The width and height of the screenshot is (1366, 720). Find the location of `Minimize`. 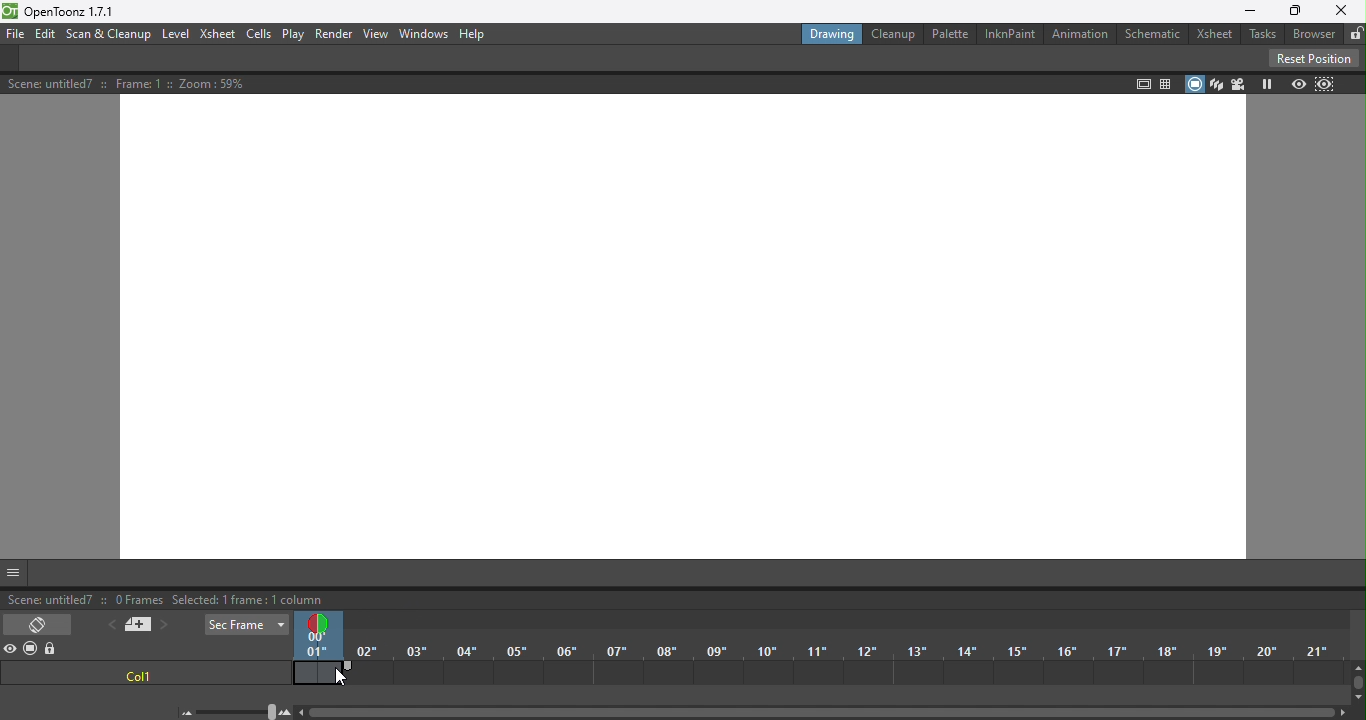

Minimize is located at coordinates (1245, 12).